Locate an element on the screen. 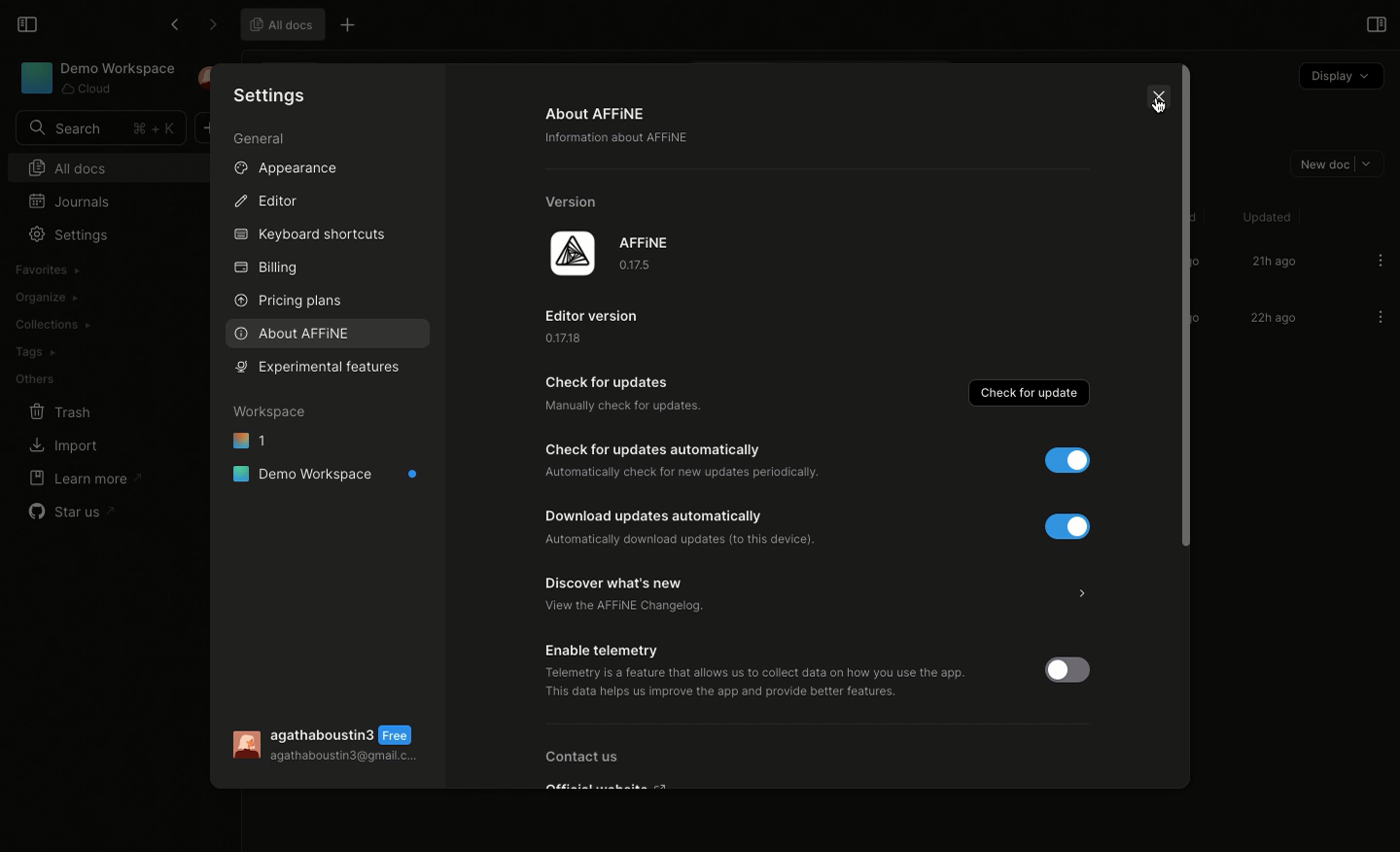 The height and width of the screenshot is (852, 1400). Edit version is located at coordinates (601, 325).